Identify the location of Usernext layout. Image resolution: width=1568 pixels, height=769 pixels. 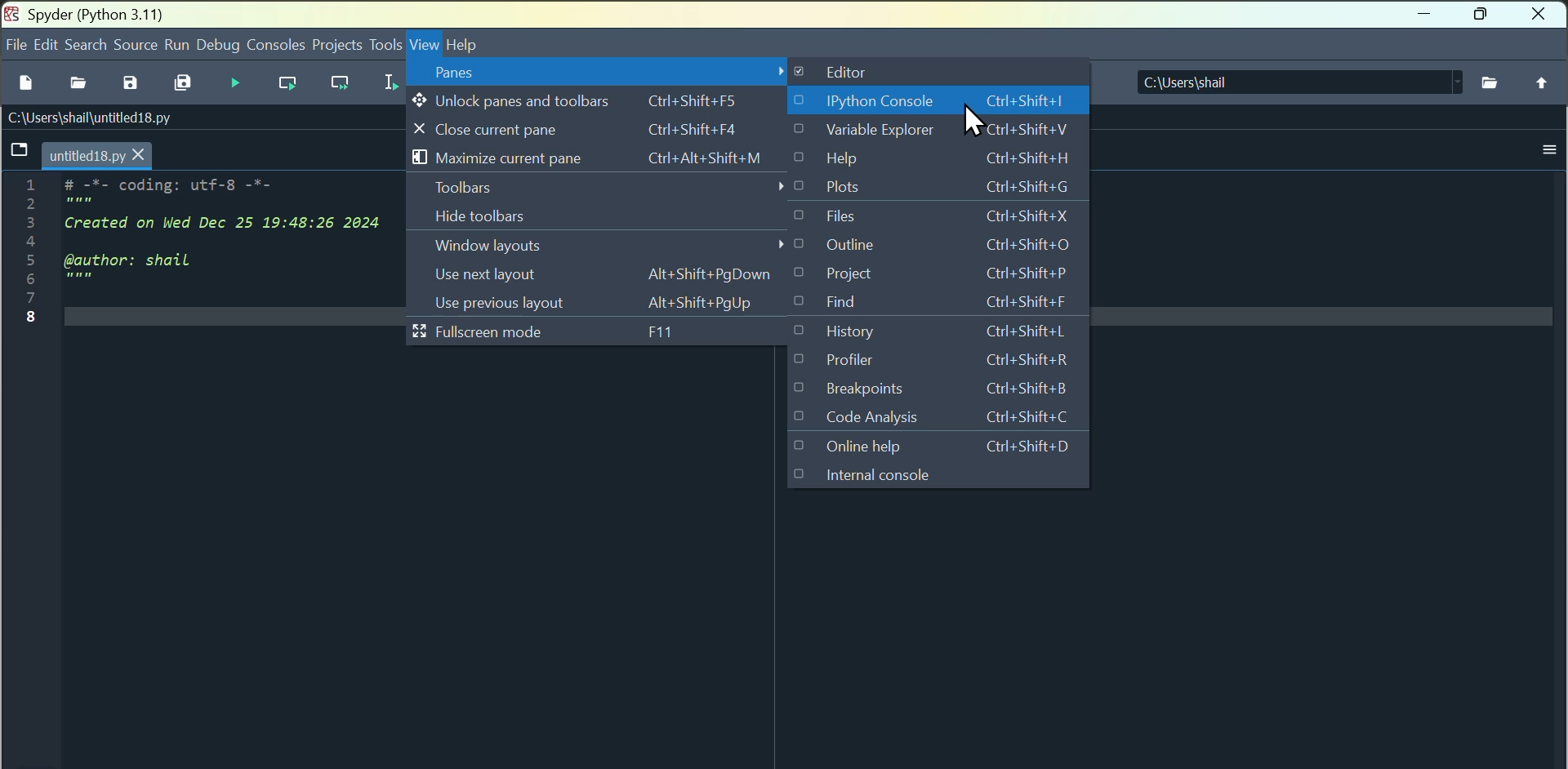
(595, 278).